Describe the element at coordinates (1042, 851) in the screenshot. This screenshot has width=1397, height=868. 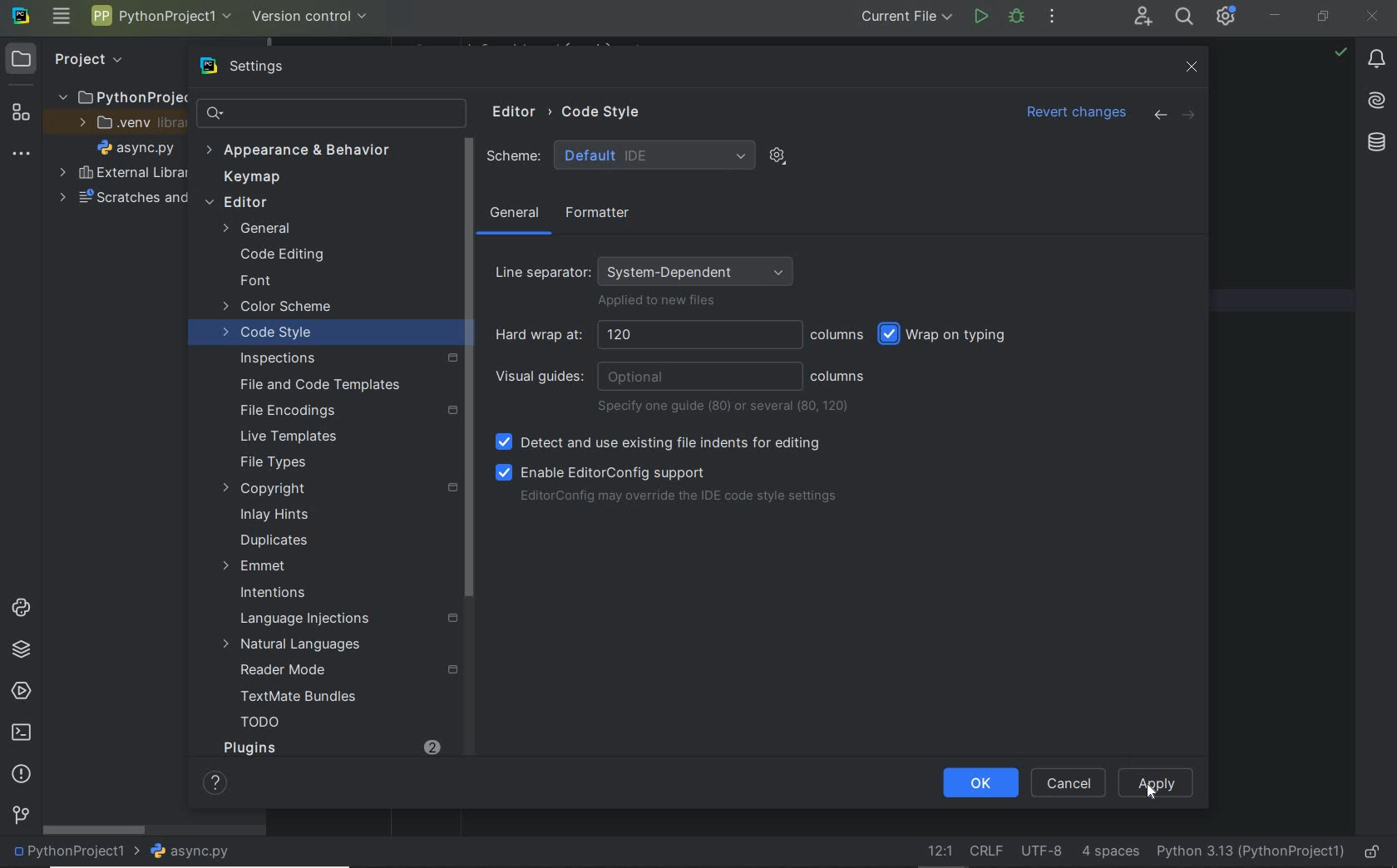
I see `file encoding` at that location.